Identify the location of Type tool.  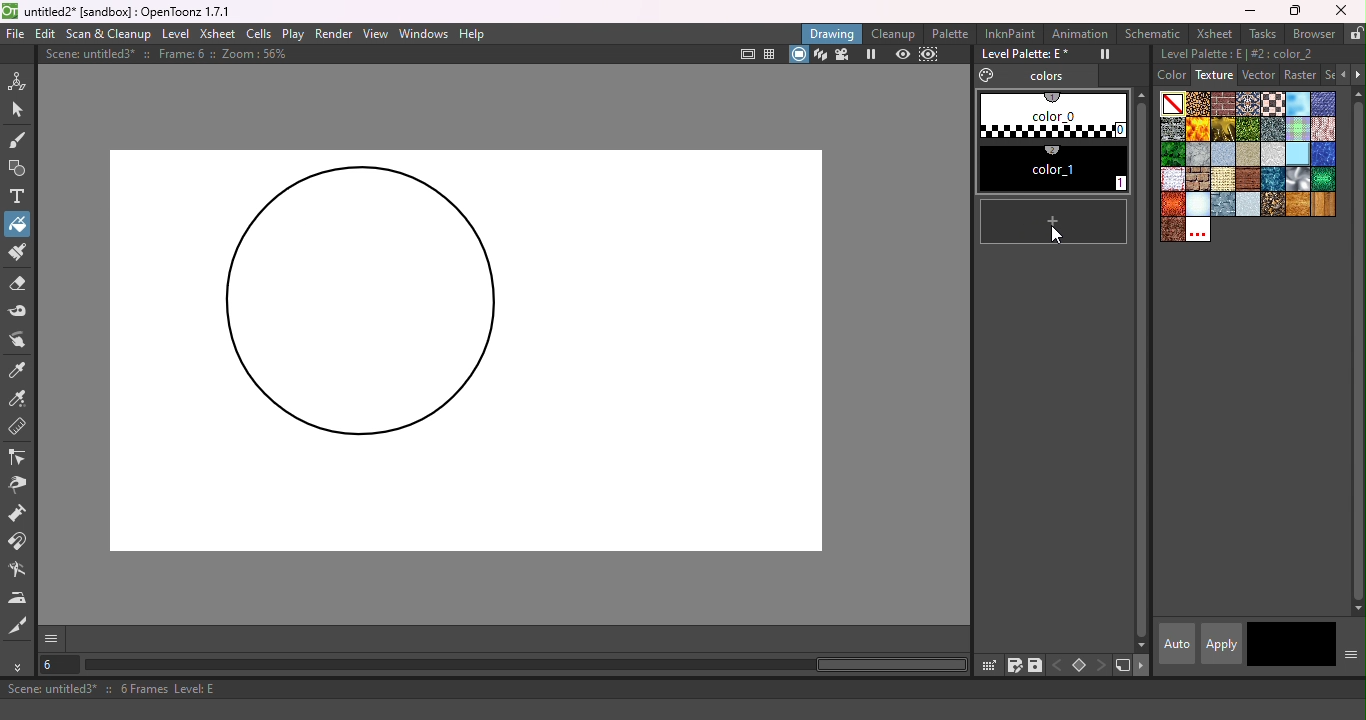
(22, 196).